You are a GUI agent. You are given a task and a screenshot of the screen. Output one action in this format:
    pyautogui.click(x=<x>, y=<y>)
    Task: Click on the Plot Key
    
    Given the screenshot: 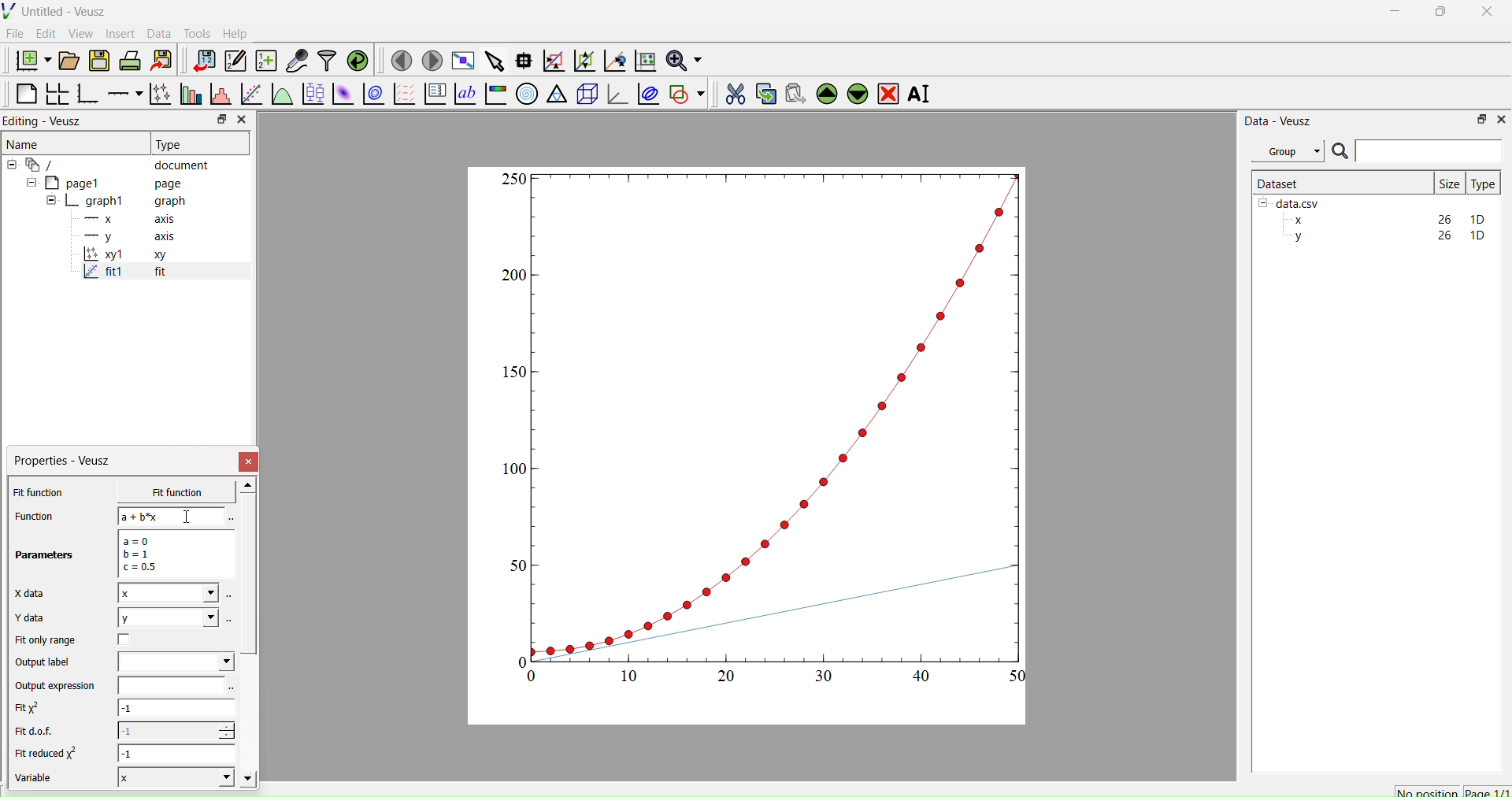 What is the action you would take?
    pyautogui.click(x=435, y=94)
    